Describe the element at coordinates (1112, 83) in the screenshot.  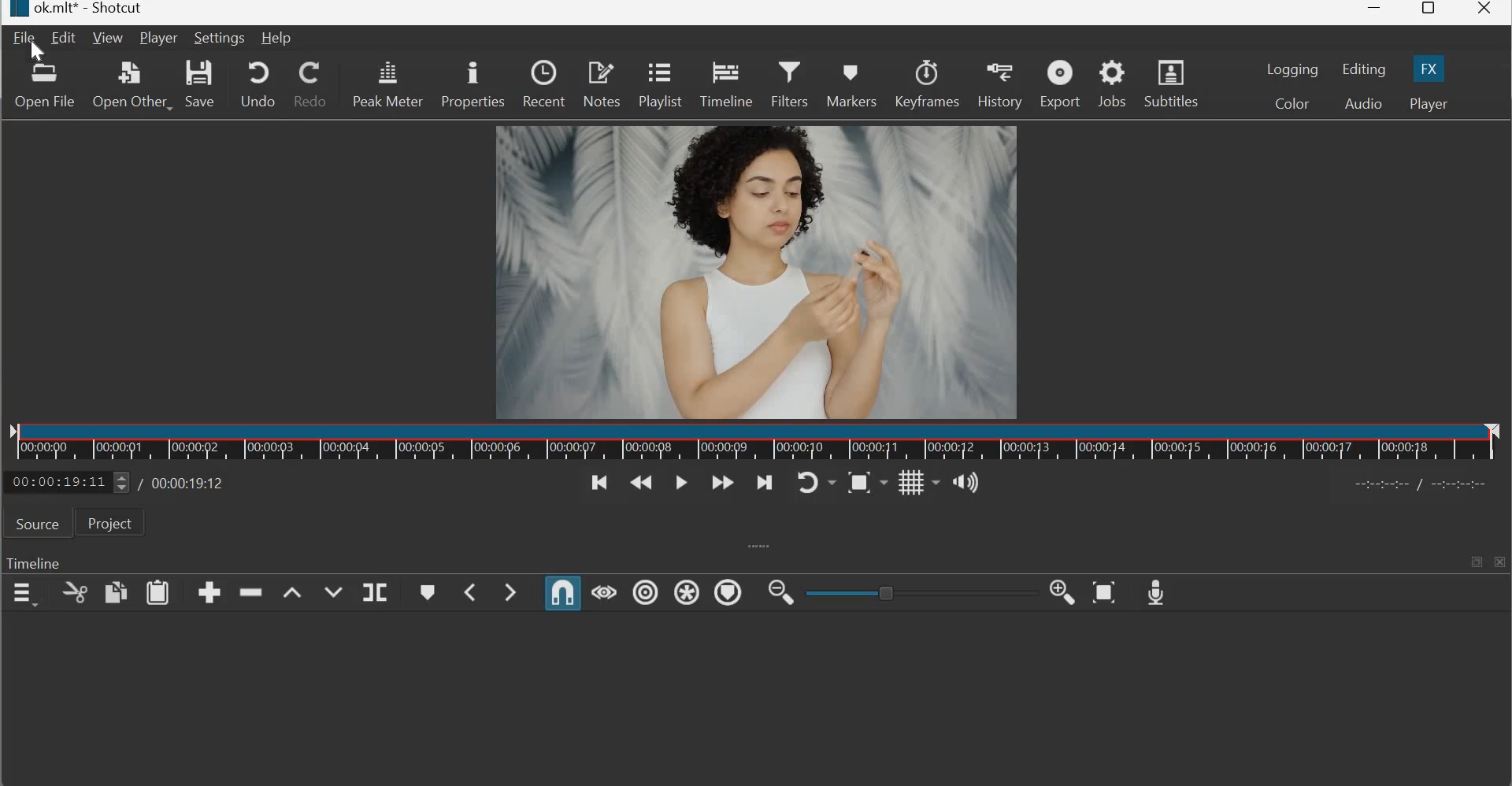
I see `Jobs` at that location.